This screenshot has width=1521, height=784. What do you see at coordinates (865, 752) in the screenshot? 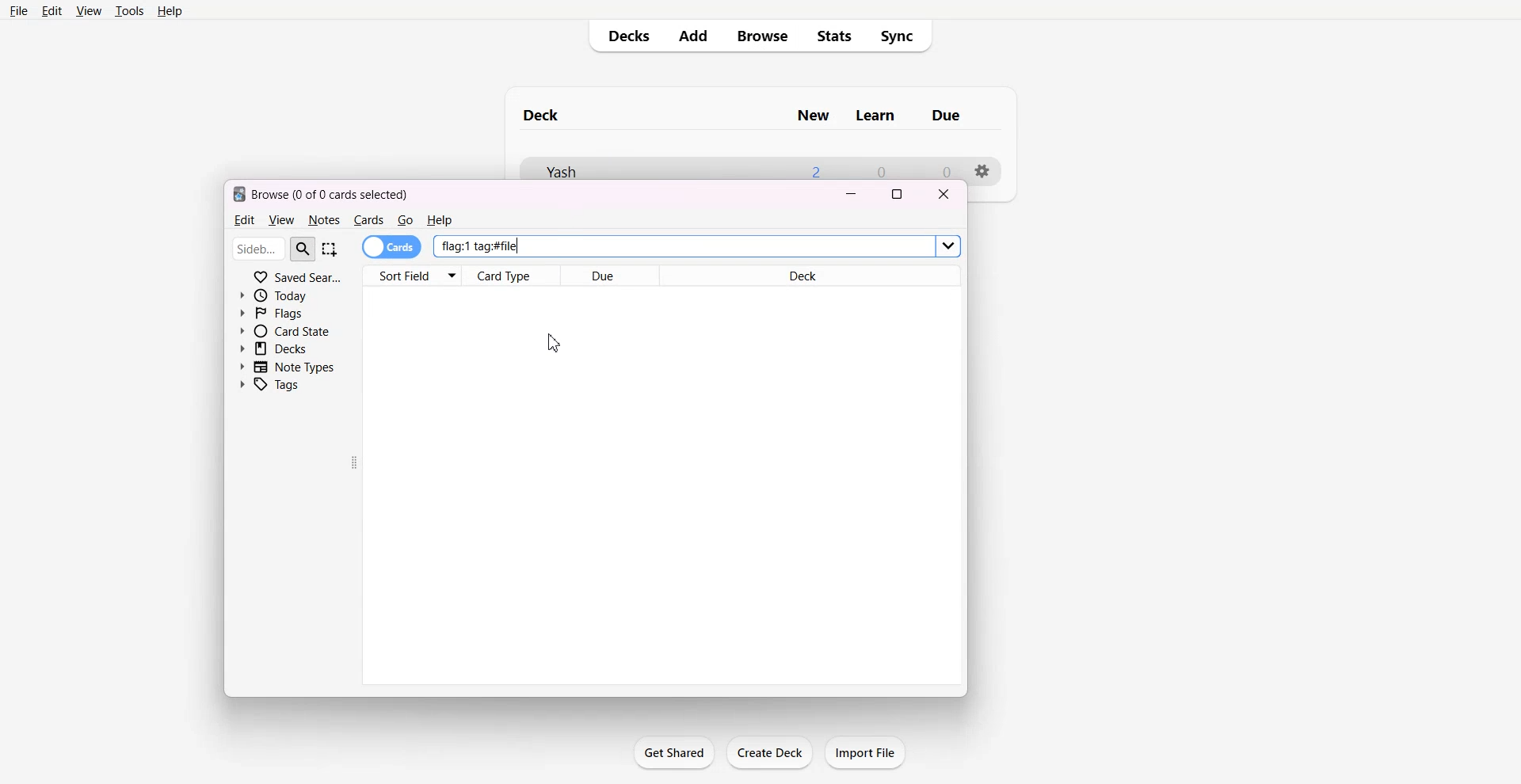
I see `Import File` at bounding box center [865, 752].